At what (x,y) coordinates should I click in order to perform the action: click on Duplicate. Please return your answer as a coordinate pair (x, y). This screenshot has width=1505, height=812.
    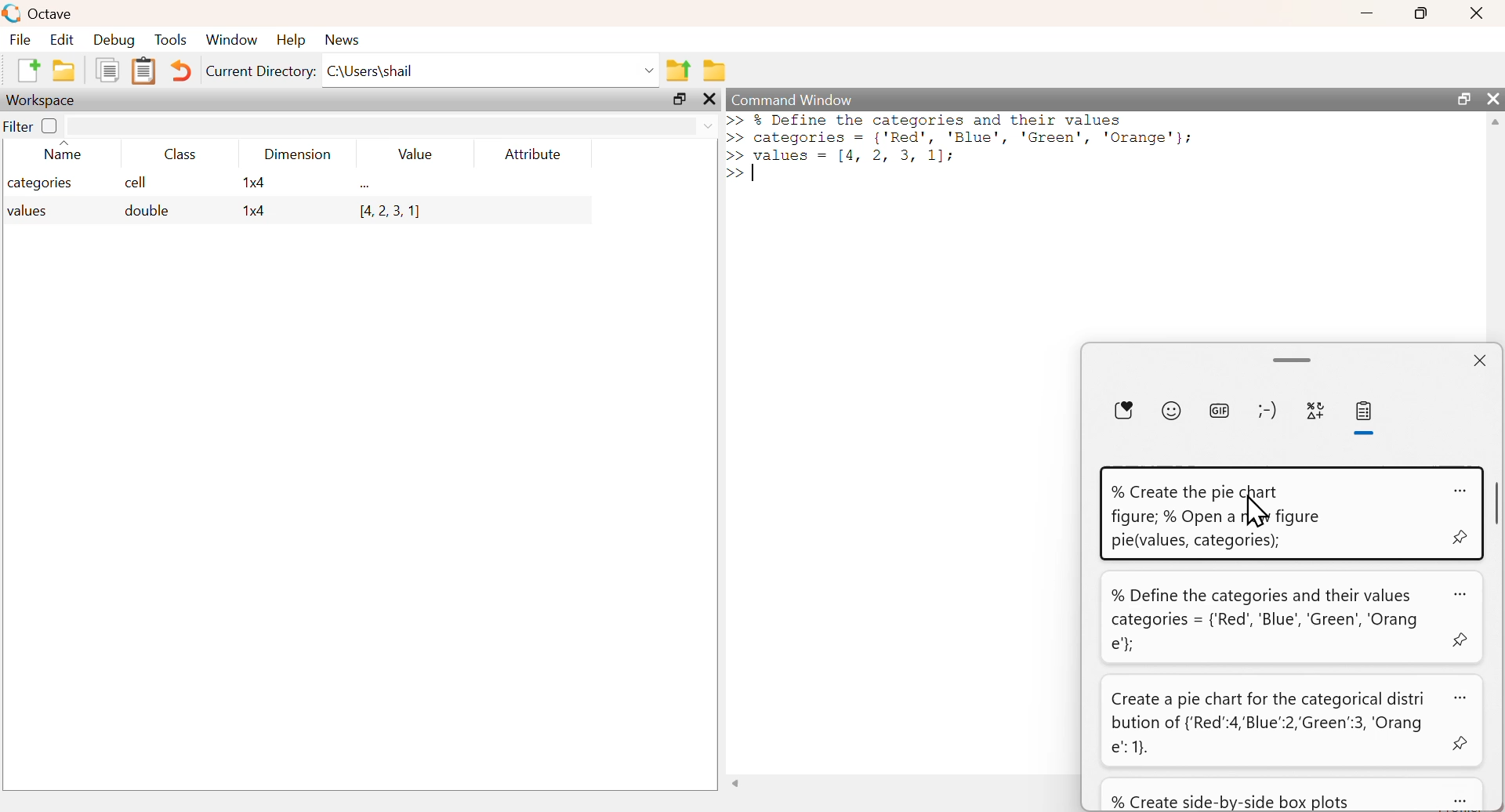
    Looking at the image, I should click on (107, 69).